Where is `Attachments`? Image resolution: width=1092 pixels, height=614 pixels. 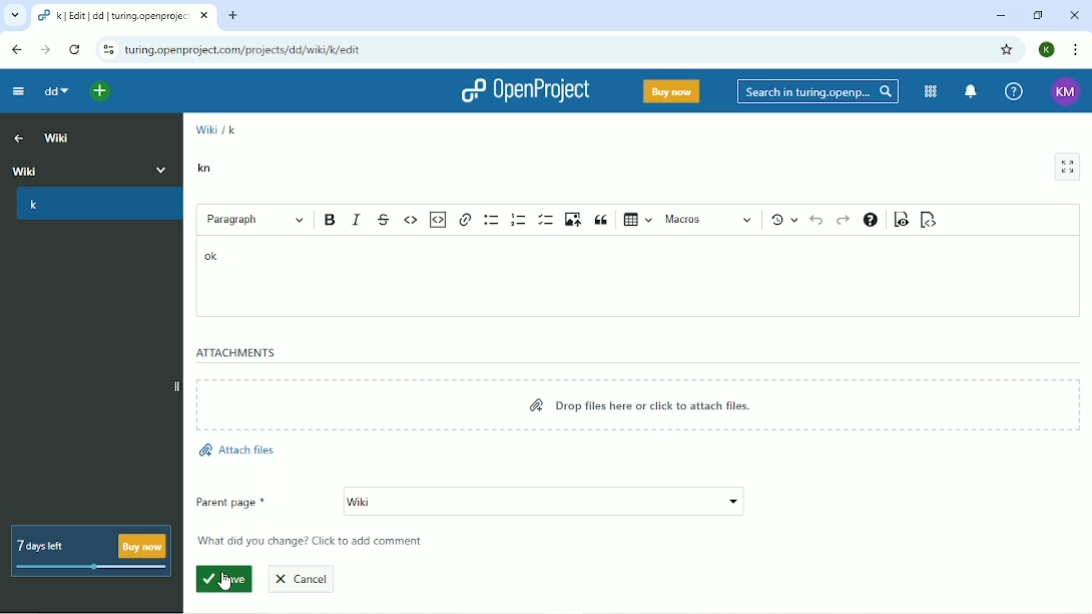
Attachments is located at coordinates (237, 352).